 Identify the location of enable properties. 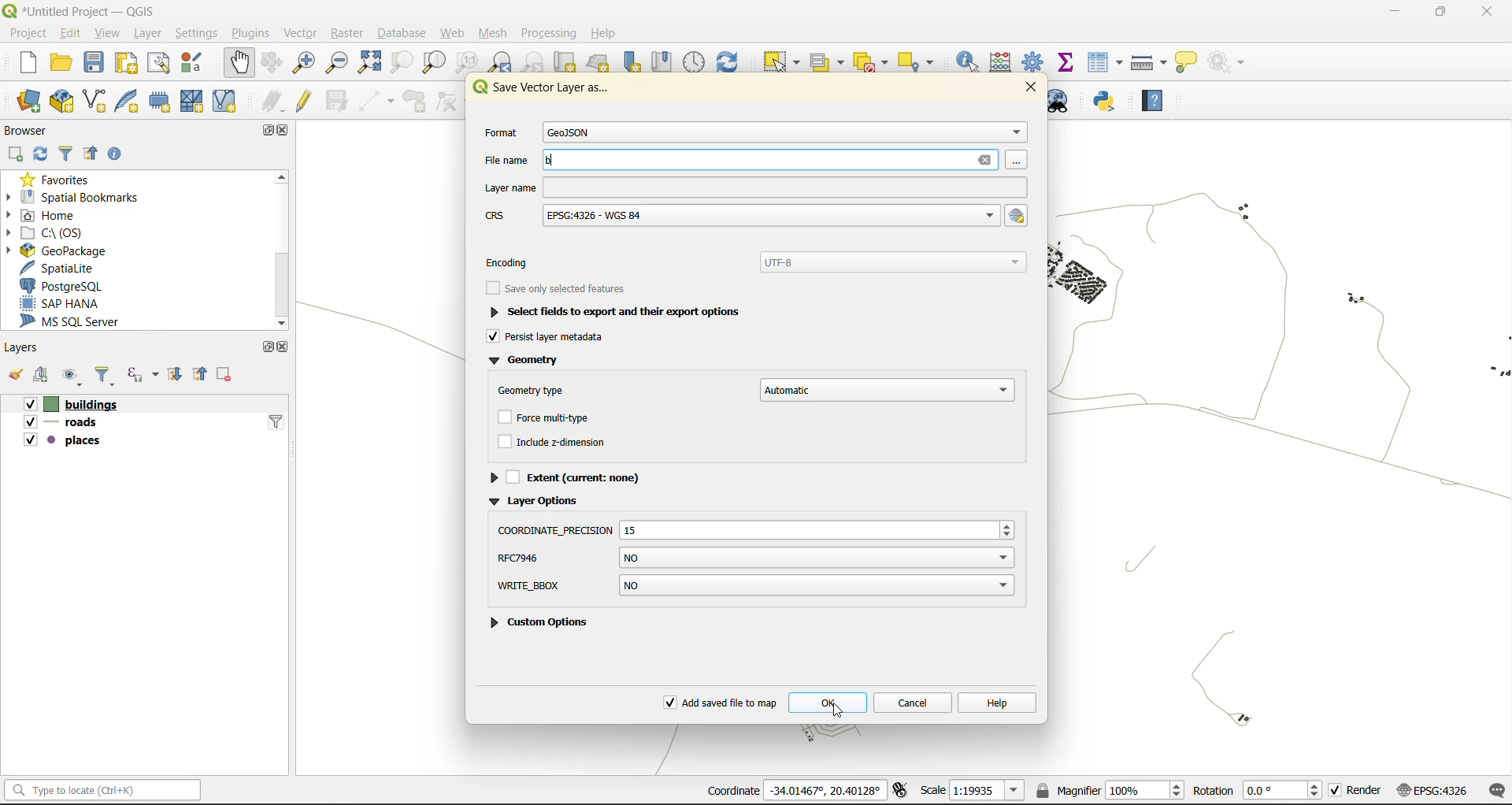
(119, 152).